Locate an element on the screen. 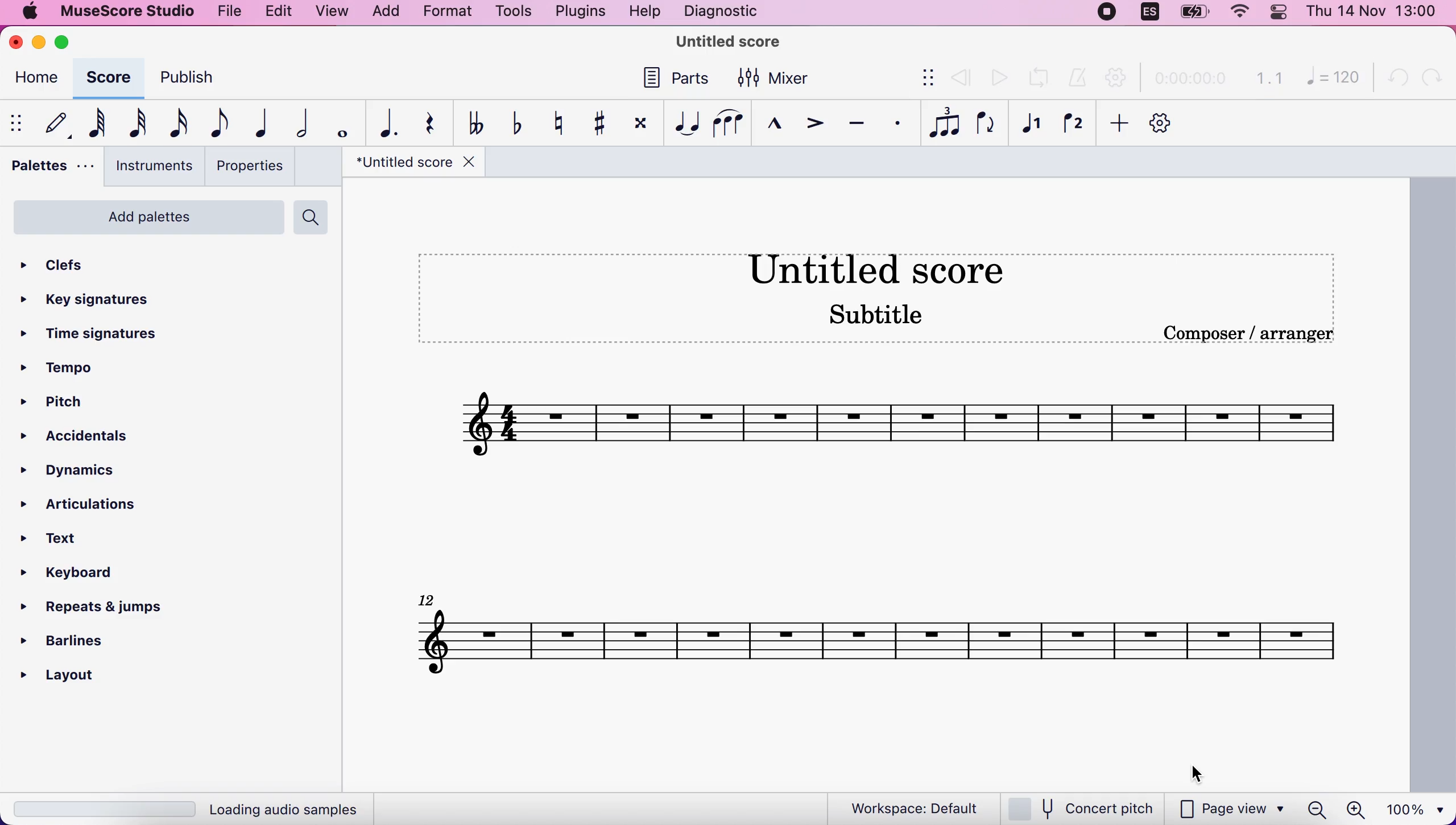 The height and width of the screenshot is (825, 1456). slur is located at coordinates (725, 123).